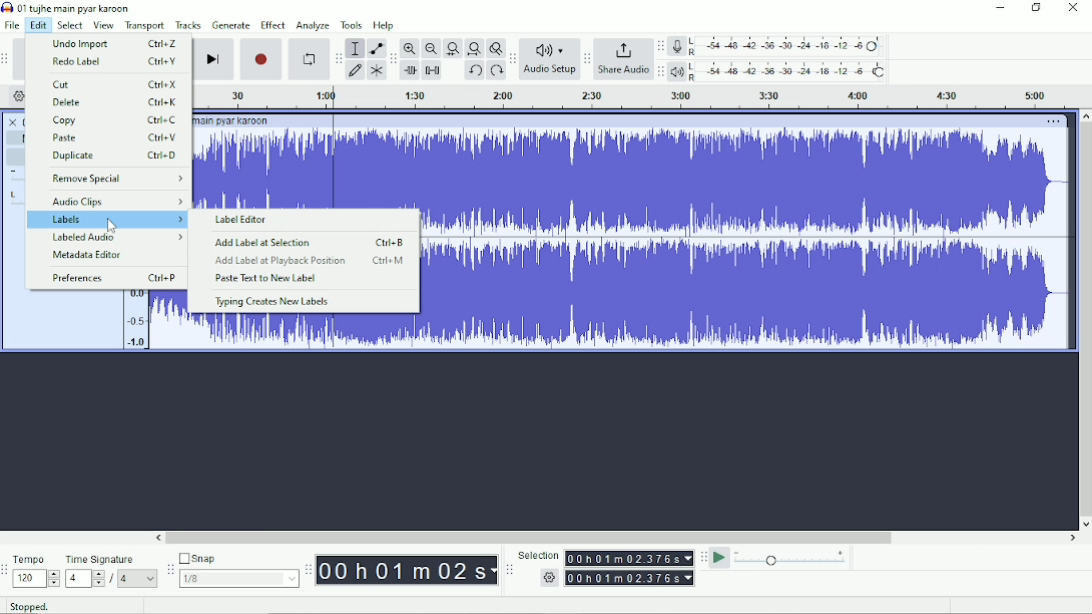 Image resolution: width=1092 pixels, height=614 pixels. Describe the element at coordinates (30, 606) in the screenshot. I see `Stopped` at that location.